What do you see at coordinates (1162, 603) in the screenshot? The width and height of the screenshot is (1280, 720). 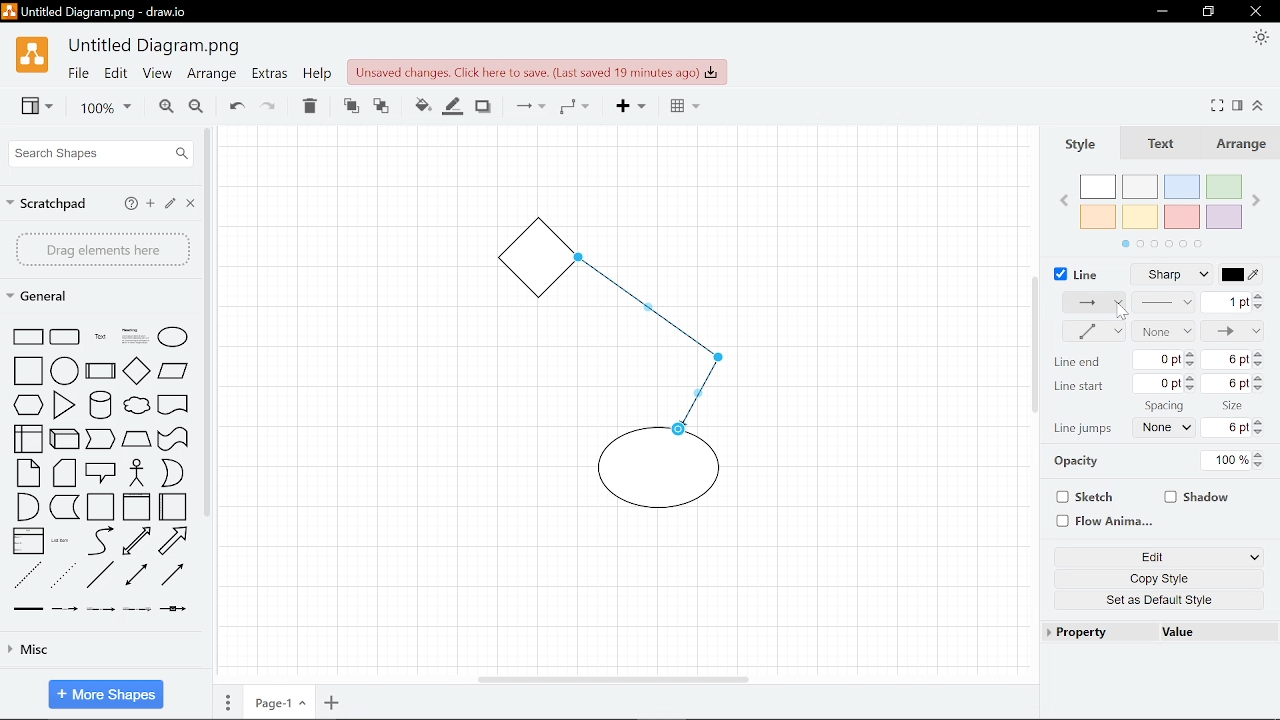 I see `Set as Default Style` at bounding box center [1162, 603].